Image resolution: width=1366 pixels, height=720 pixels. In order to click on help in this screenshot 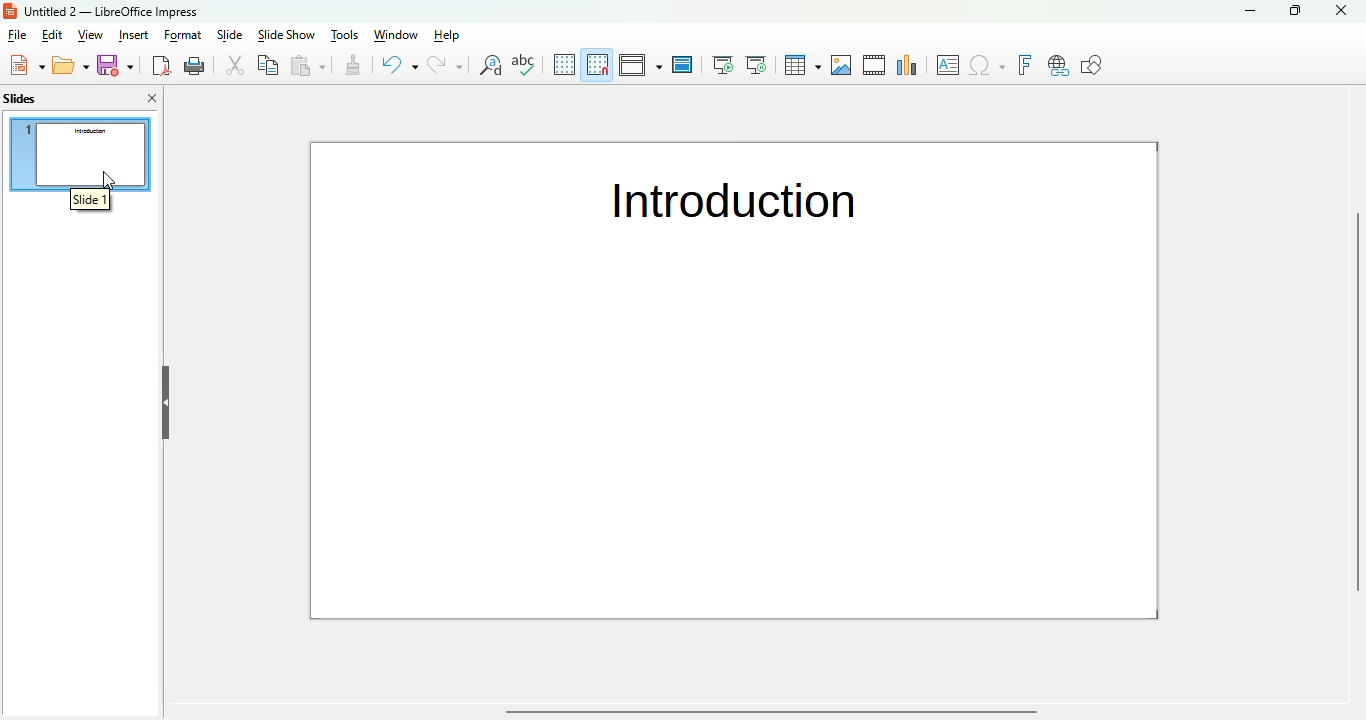, I will do `click(448, 35)`.